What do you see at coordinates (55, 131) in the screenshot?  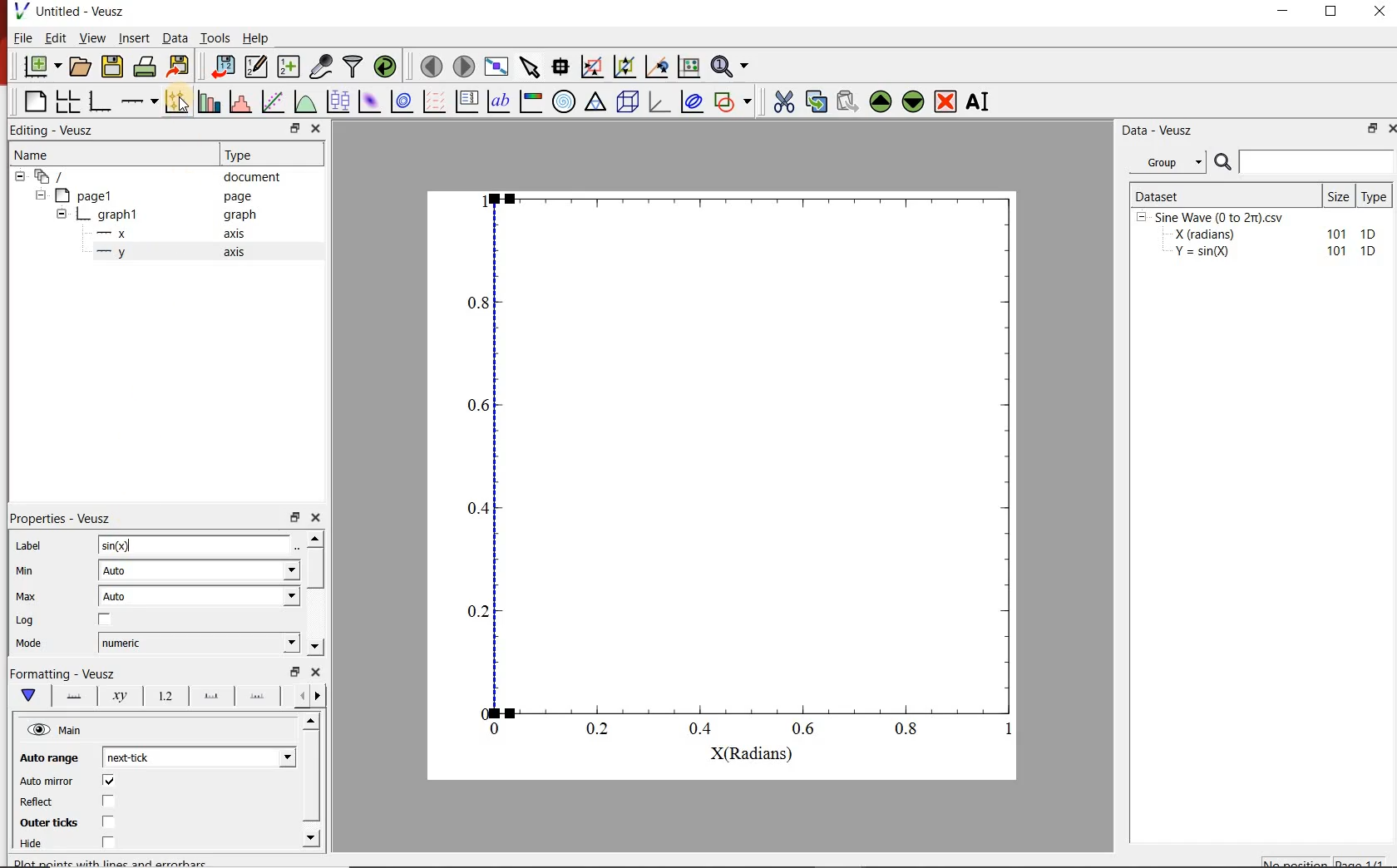 I see `Editing - Veusz` at bounding box center [55, 131].